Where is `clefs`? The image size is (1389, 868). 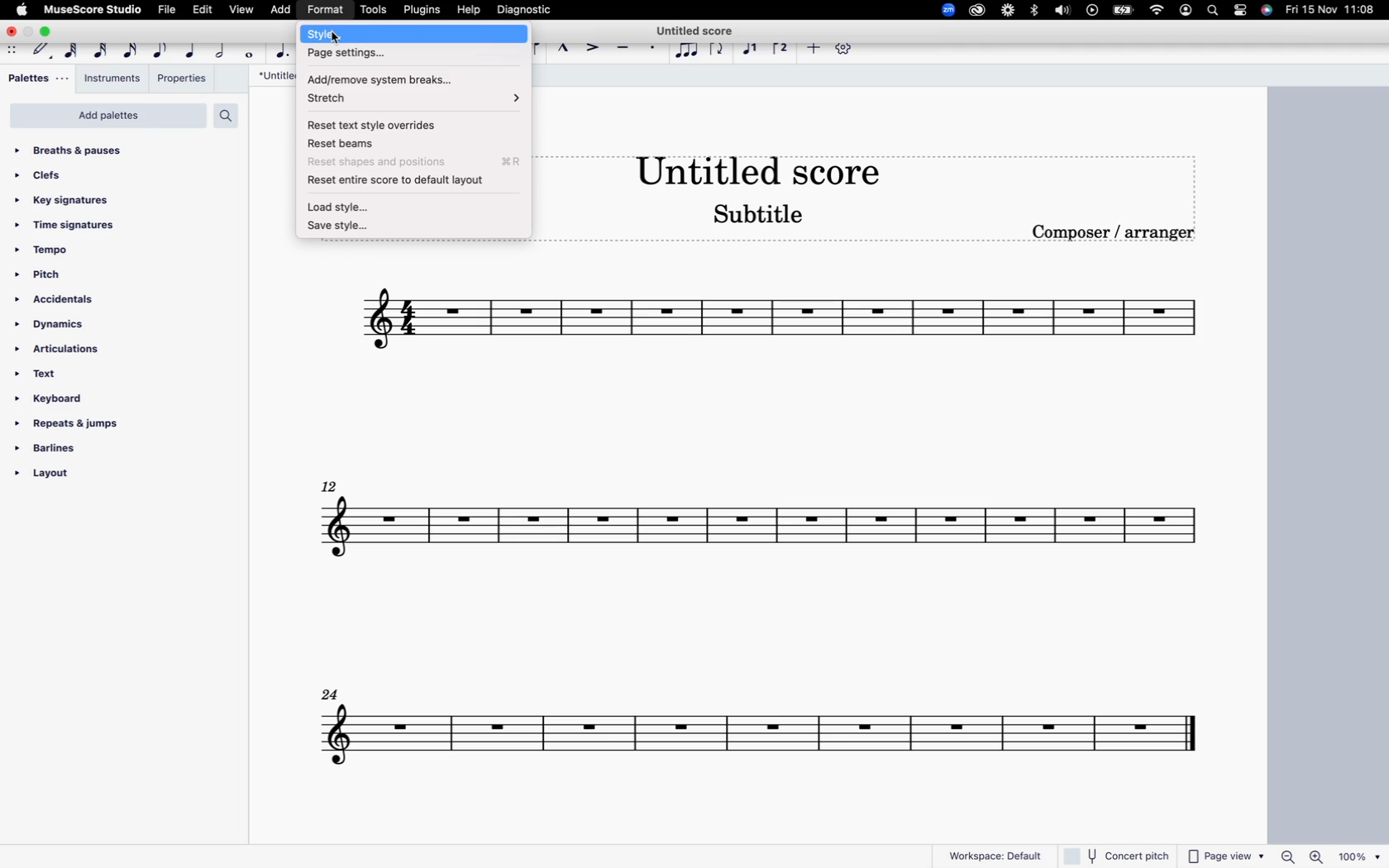 clefs is located at coordinates (47, 176).